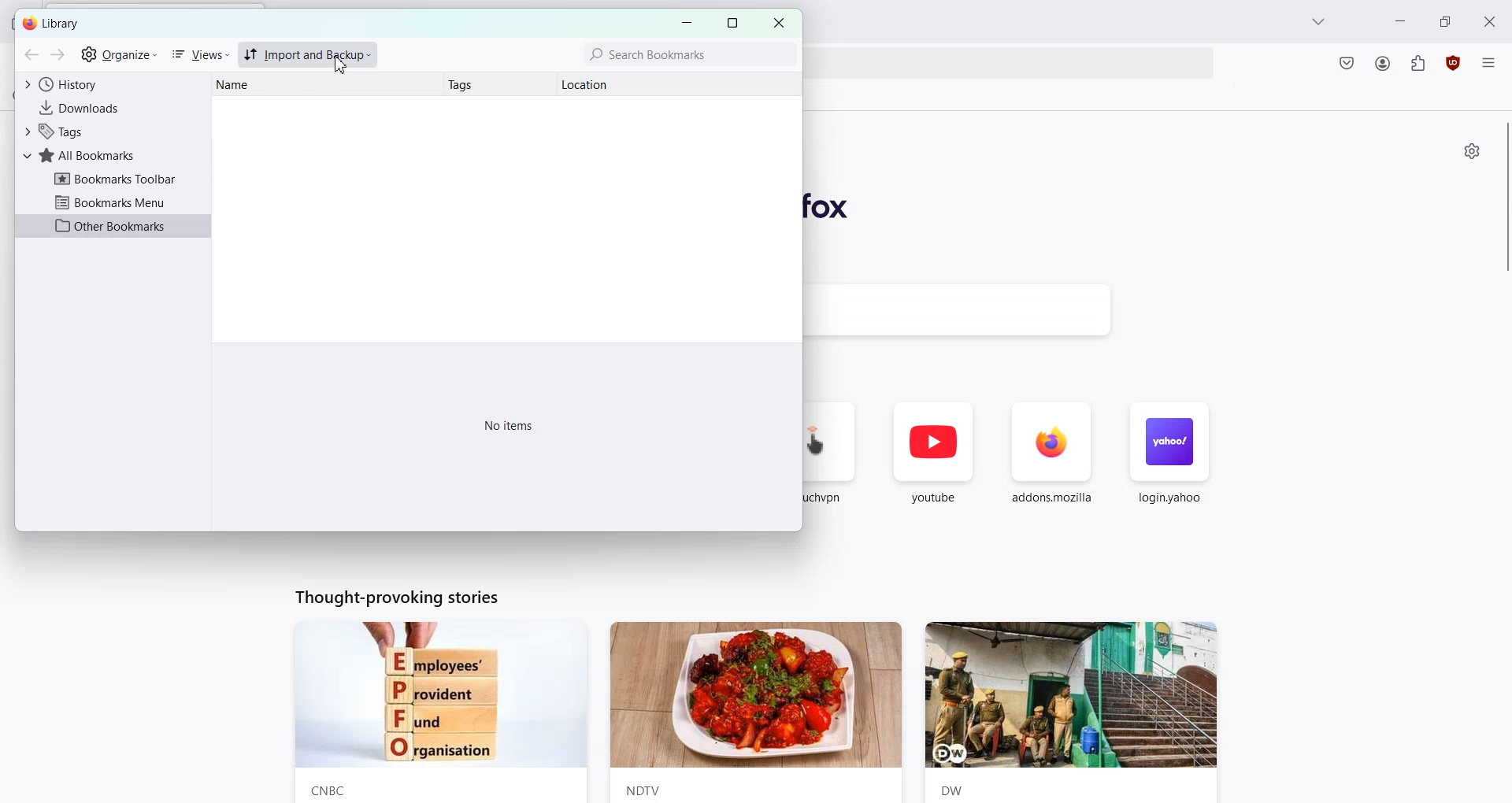 This screenshot has height=803, width=1512. Describe the element at coordinates (438, 712) in the screenshot. I see `News` at that location.